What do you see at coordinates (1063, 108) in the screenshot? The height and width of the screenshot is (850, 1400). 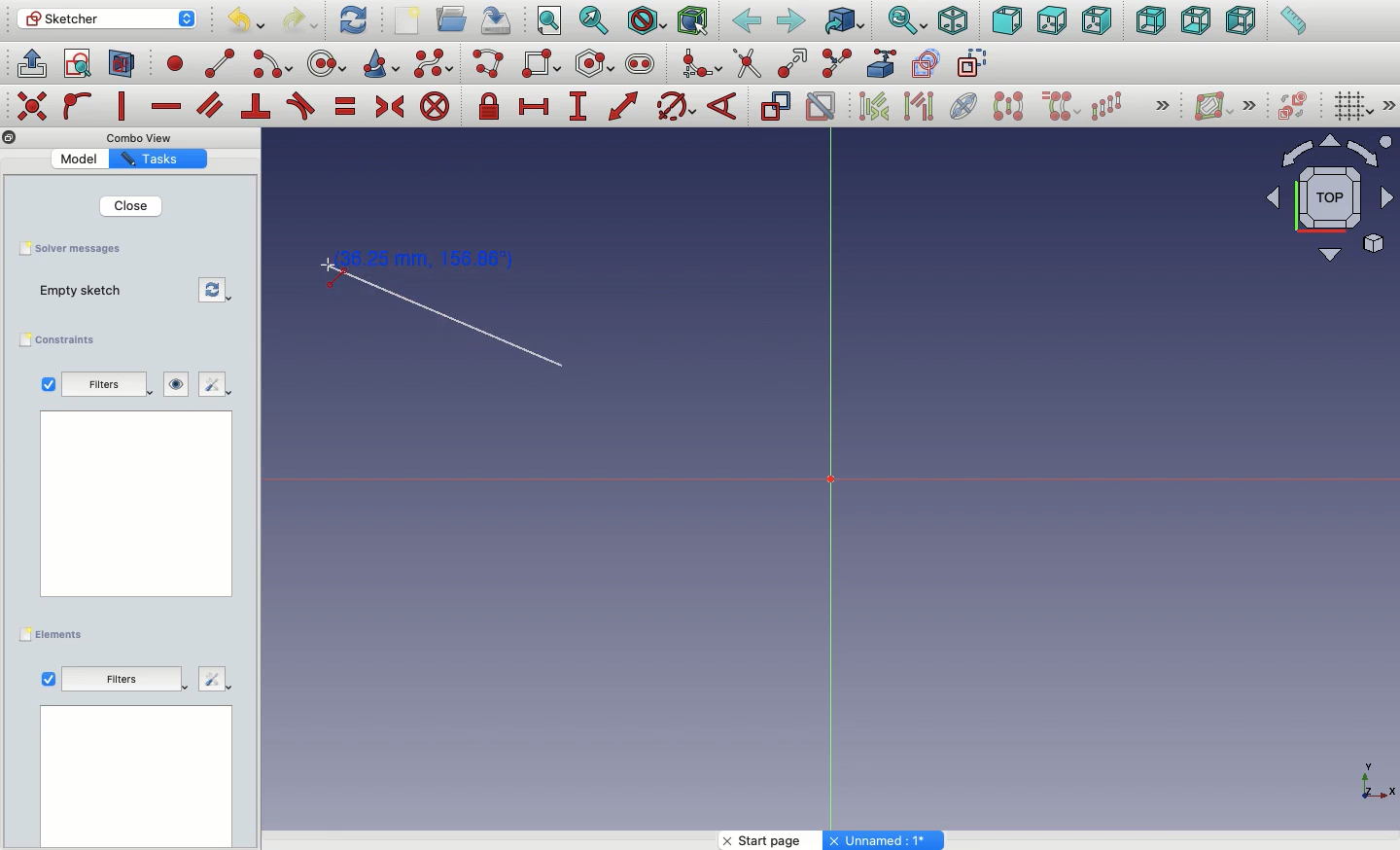 I see `Clone` at bounding box center [1063, 108].